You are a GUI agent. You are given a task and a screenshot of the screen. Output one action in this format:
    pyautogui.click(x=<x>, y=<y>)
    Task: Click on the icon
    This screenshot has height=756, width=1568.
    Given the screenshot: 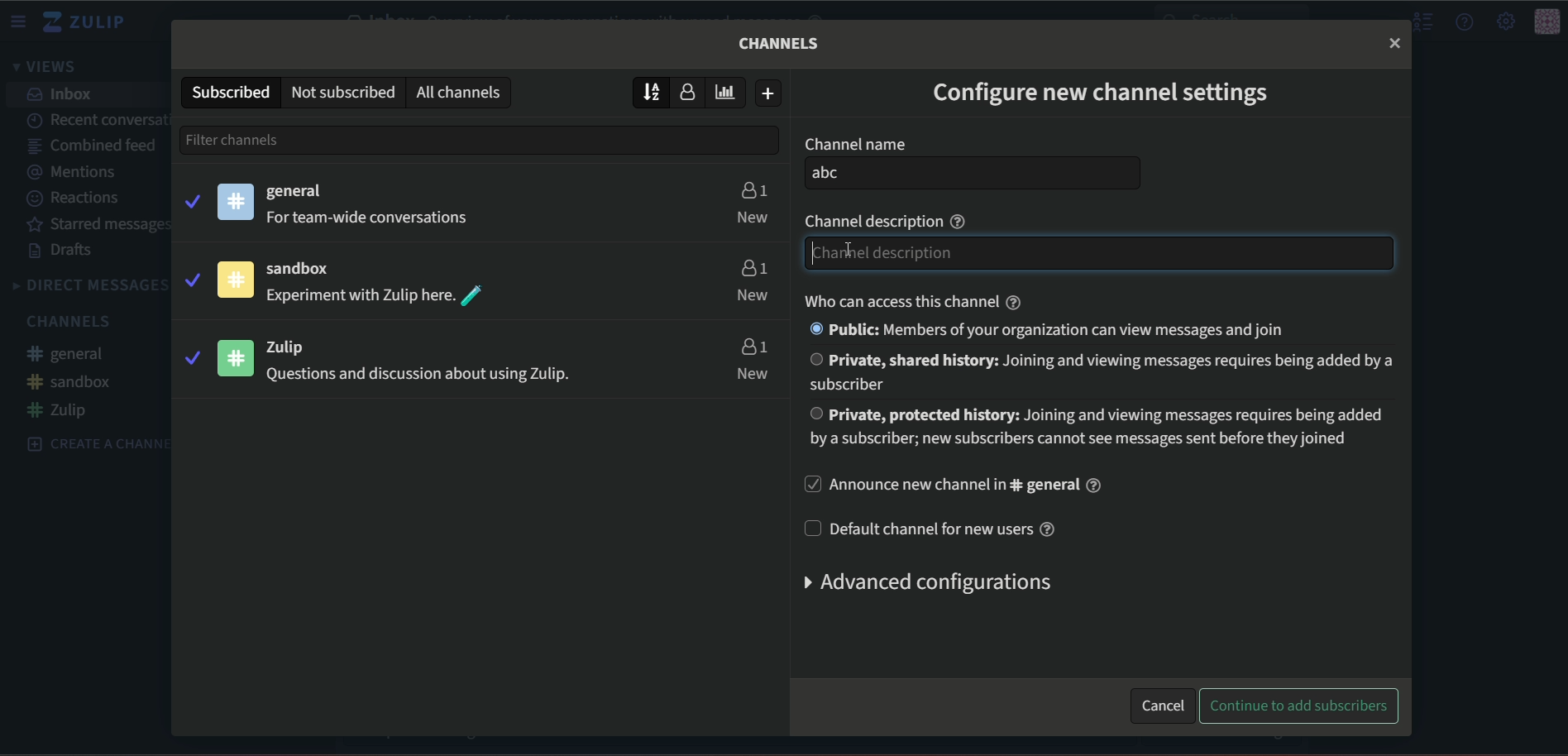 What is the action you would take?
    pyautogui.click(x=235, y=280)
    